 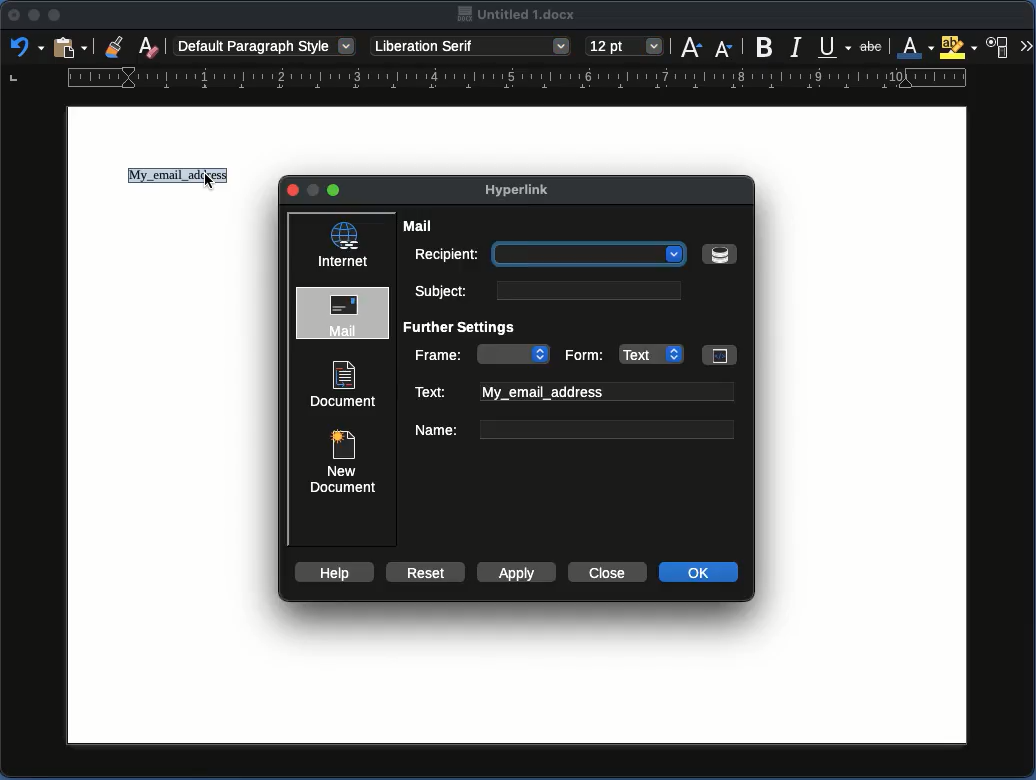 I want to click on Text, so click(x=574, y=392).